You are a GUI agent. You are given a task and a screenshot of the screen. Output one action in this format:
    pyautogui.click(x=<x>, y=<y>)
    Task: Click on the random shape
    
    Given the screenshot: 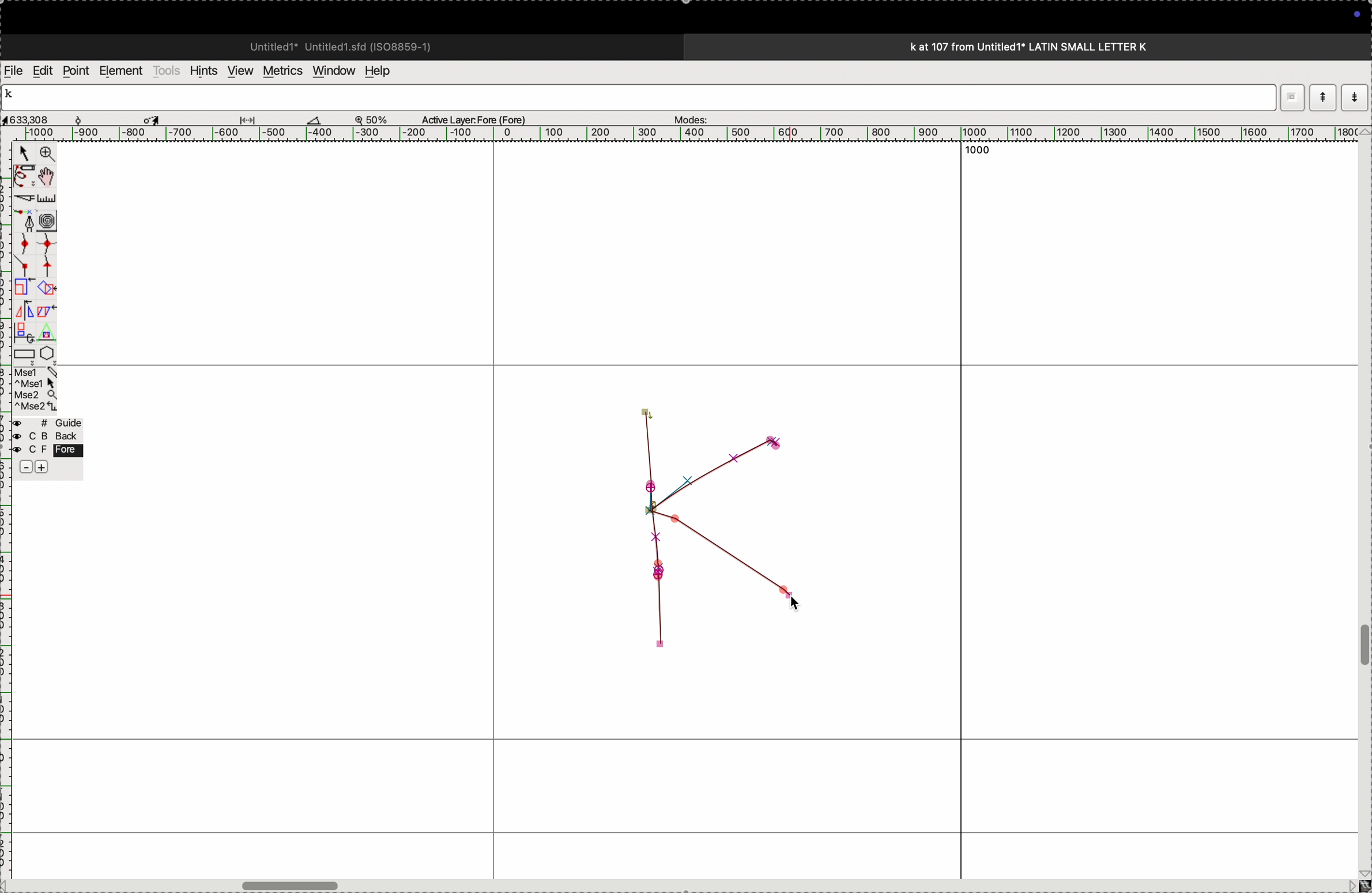 What is the action you would take?
    pyautogui.click(x=713, y=537)
    